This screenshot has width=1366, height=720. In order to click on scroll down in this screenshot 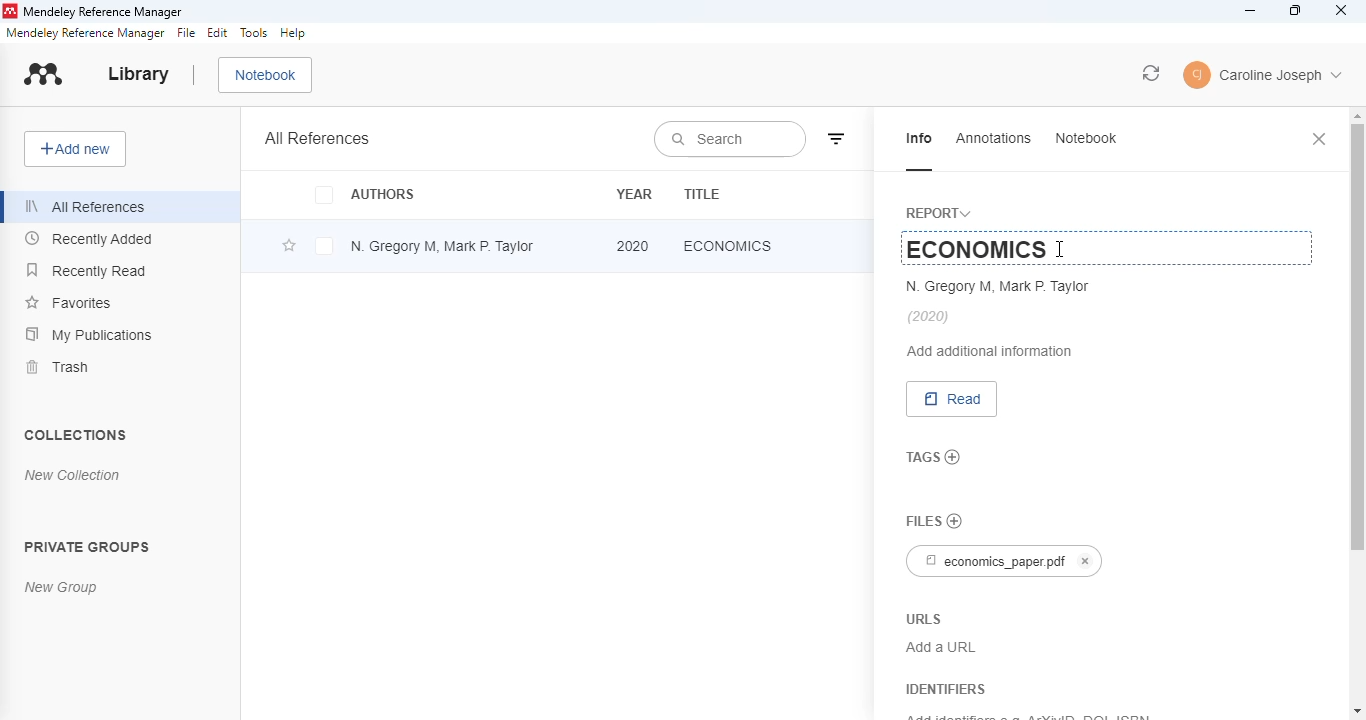, I will do `click(1356, 711)`.